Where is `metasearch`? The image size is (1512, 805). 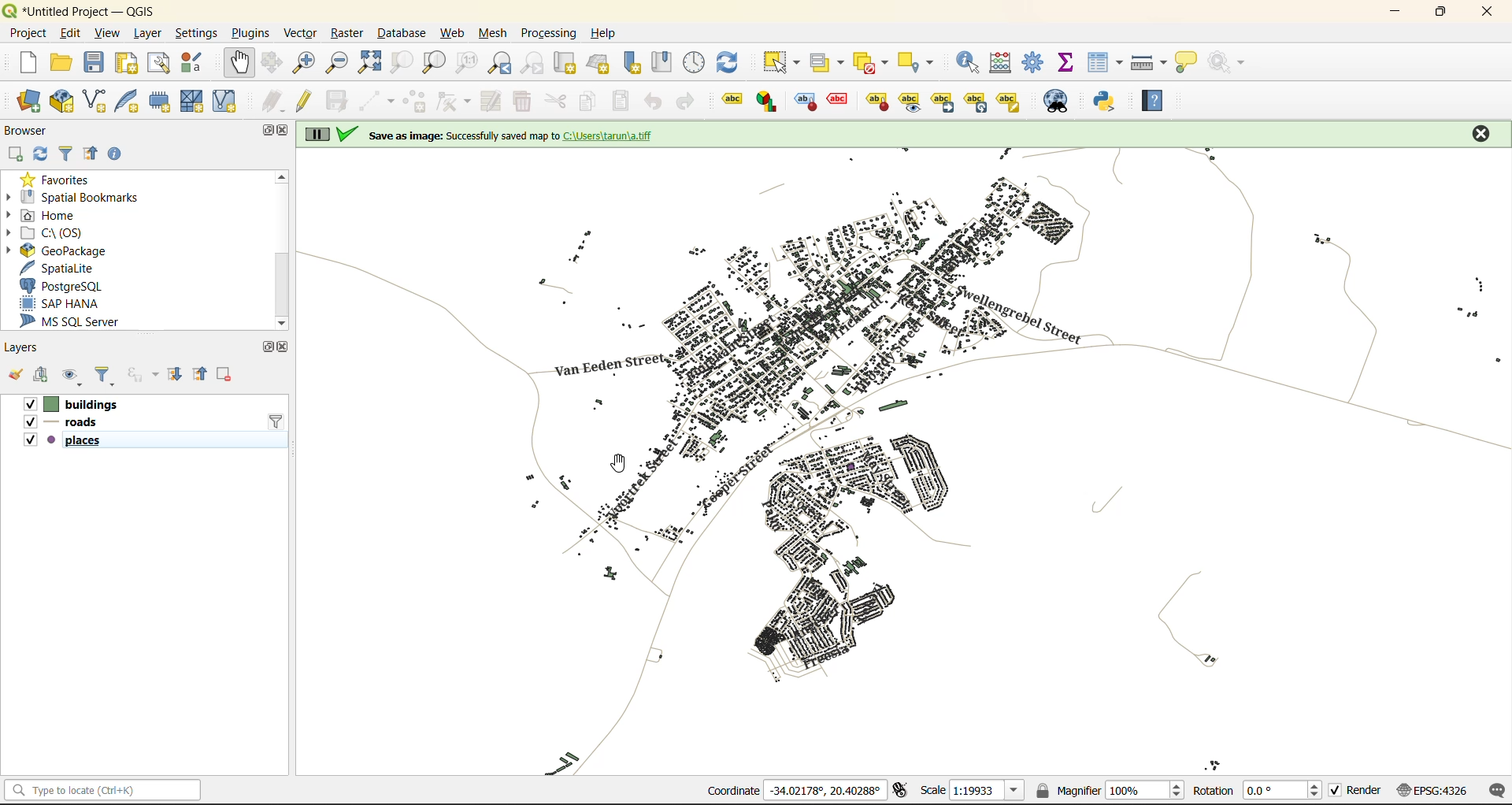 metasearch is located at coordinates (1058, 101).